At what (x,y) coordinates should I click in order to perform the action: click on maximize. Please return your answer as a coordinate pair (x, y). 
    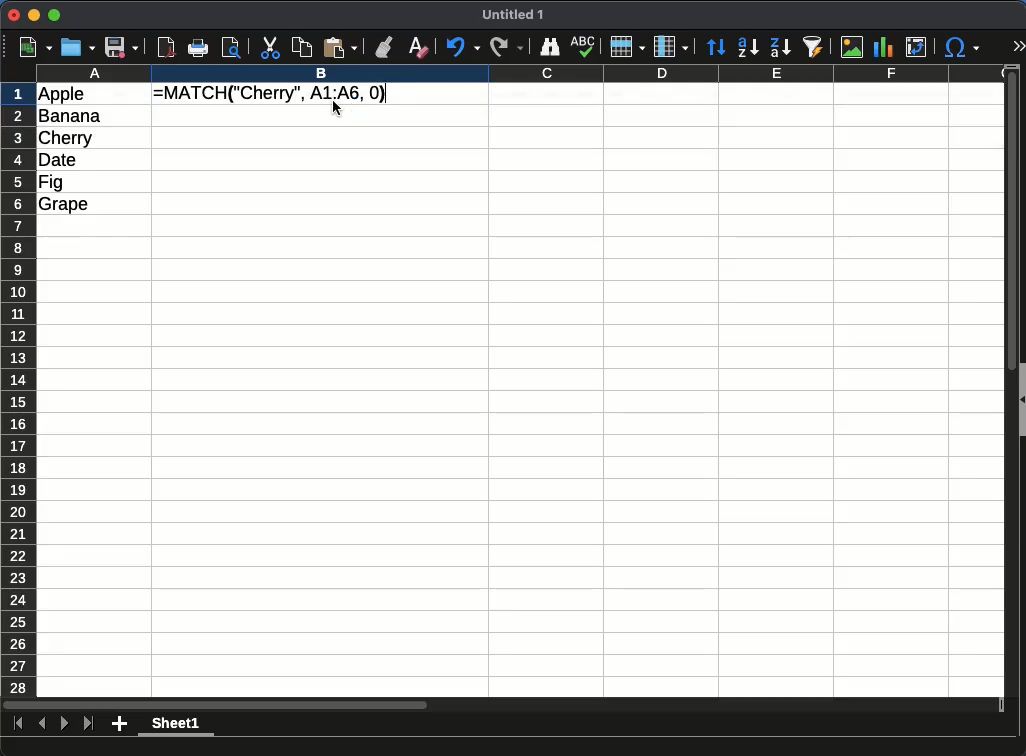
    Looking at the image, I should click on (54, 15).